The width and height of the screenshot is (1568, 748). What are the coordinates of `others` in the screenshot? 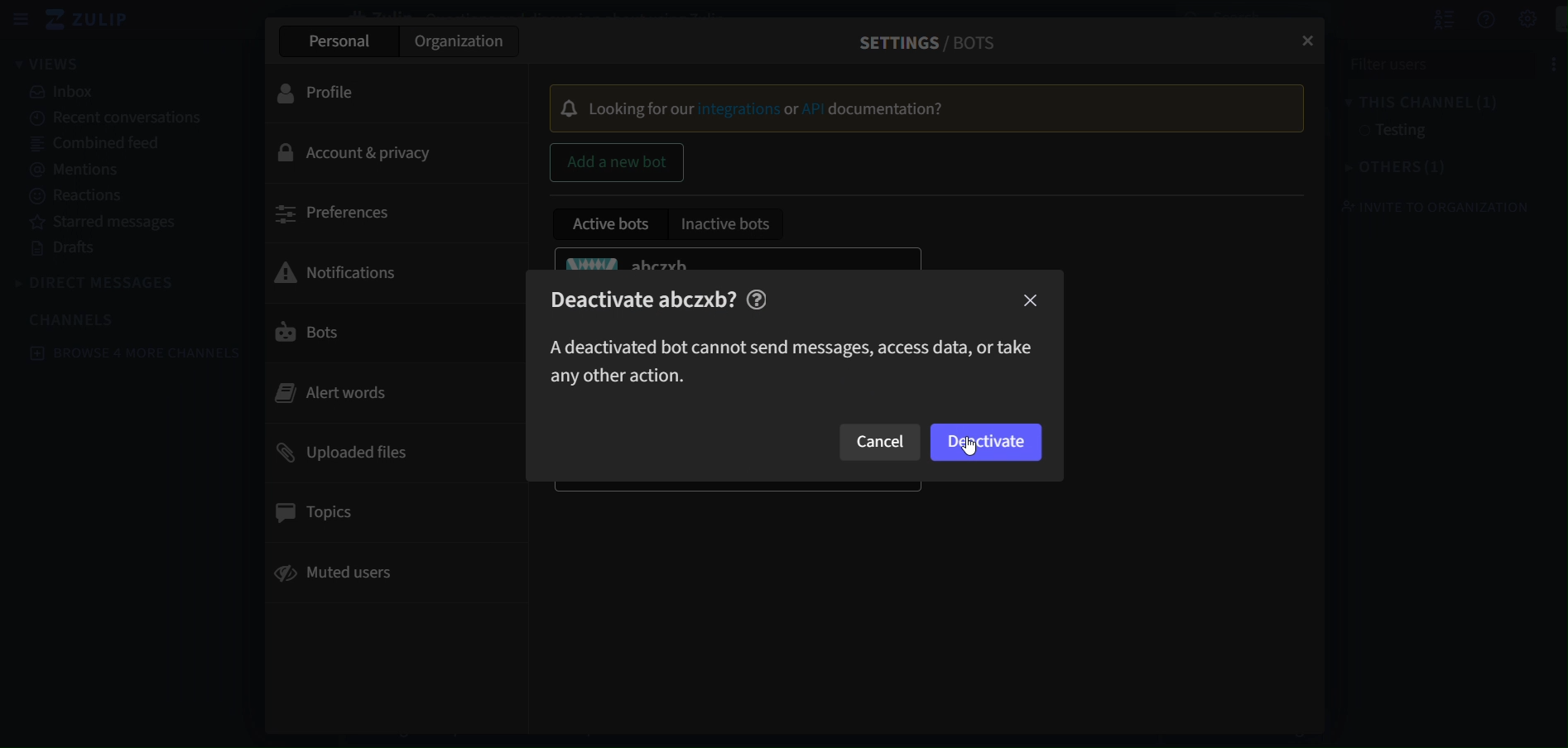 It's located at (1385, 168).